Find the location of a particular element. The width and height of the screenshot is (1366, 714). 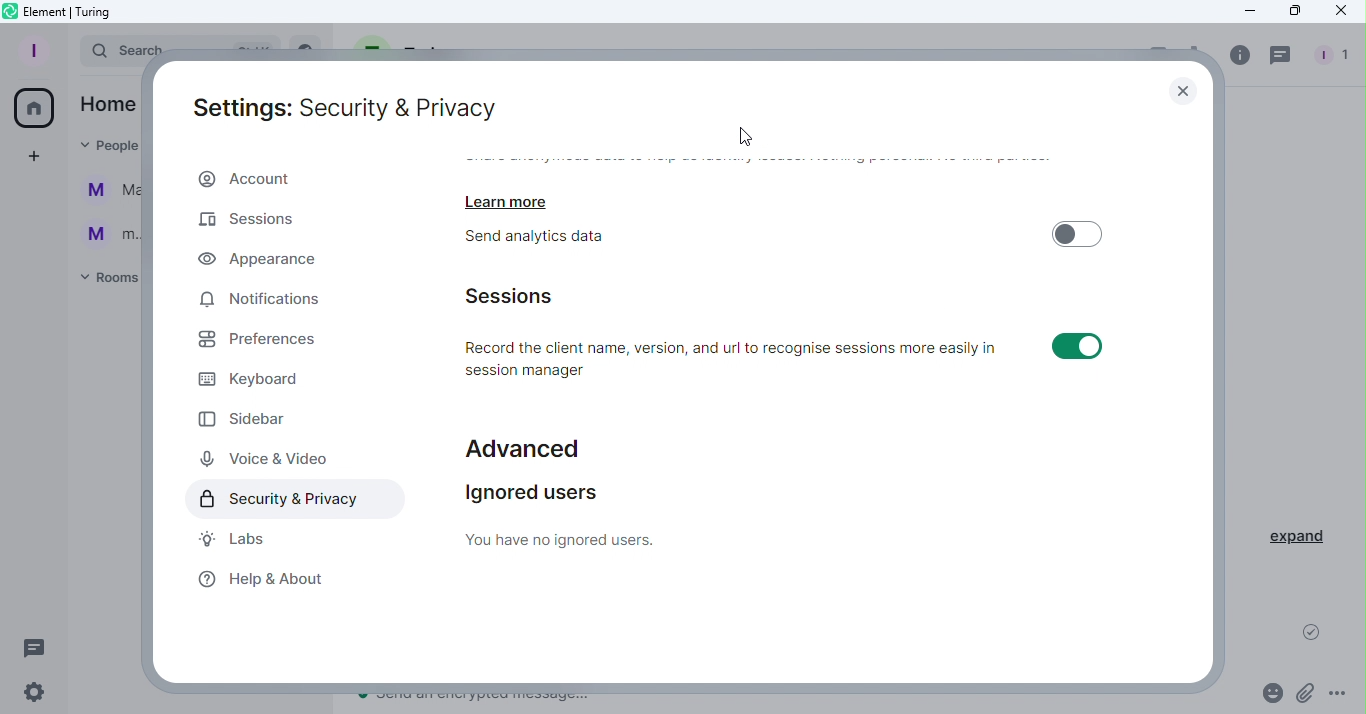

Send analytics data is located at coordinates (555, 240).